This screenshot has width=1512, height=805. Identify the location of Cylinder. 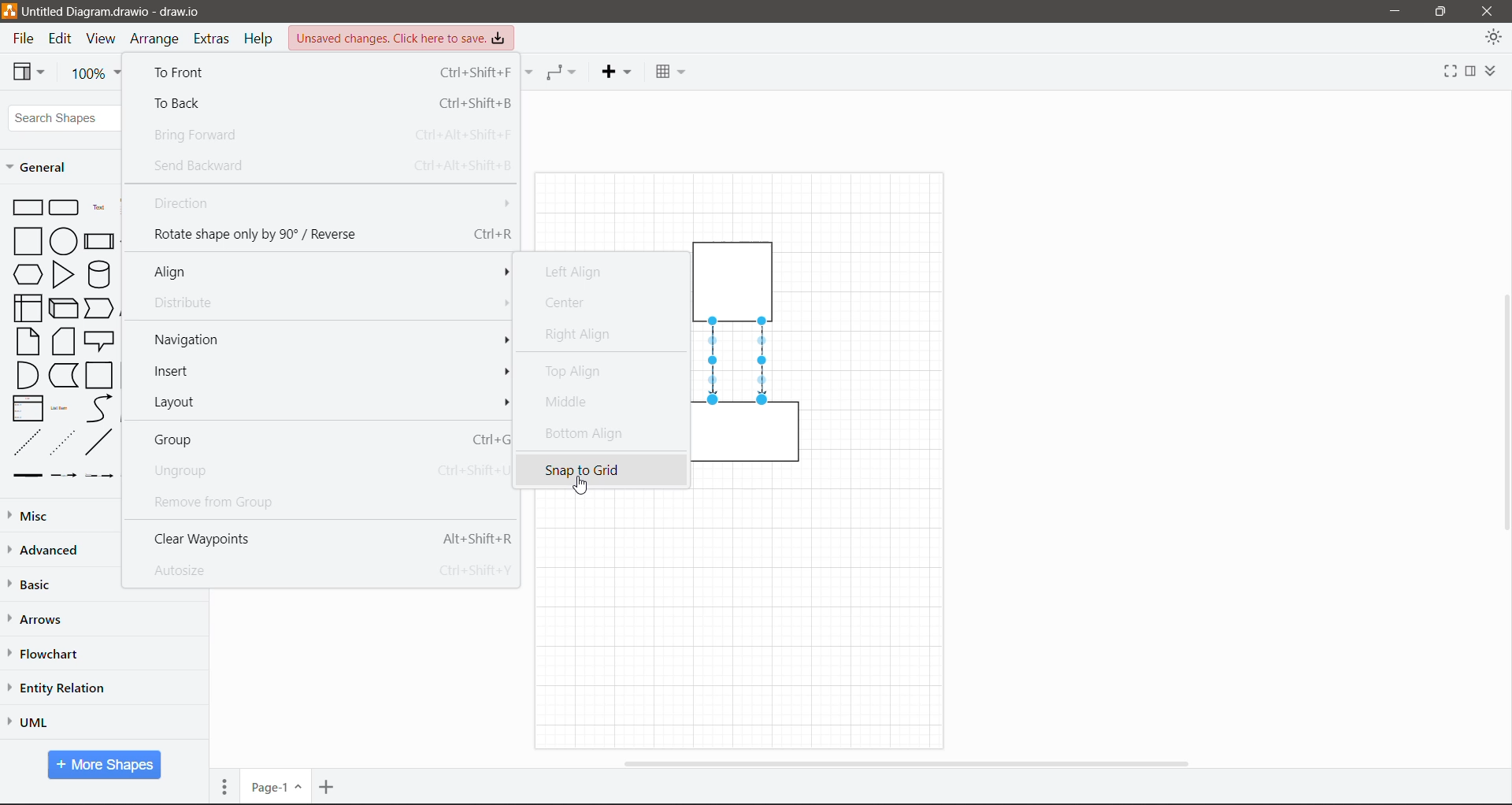
(98, 274).